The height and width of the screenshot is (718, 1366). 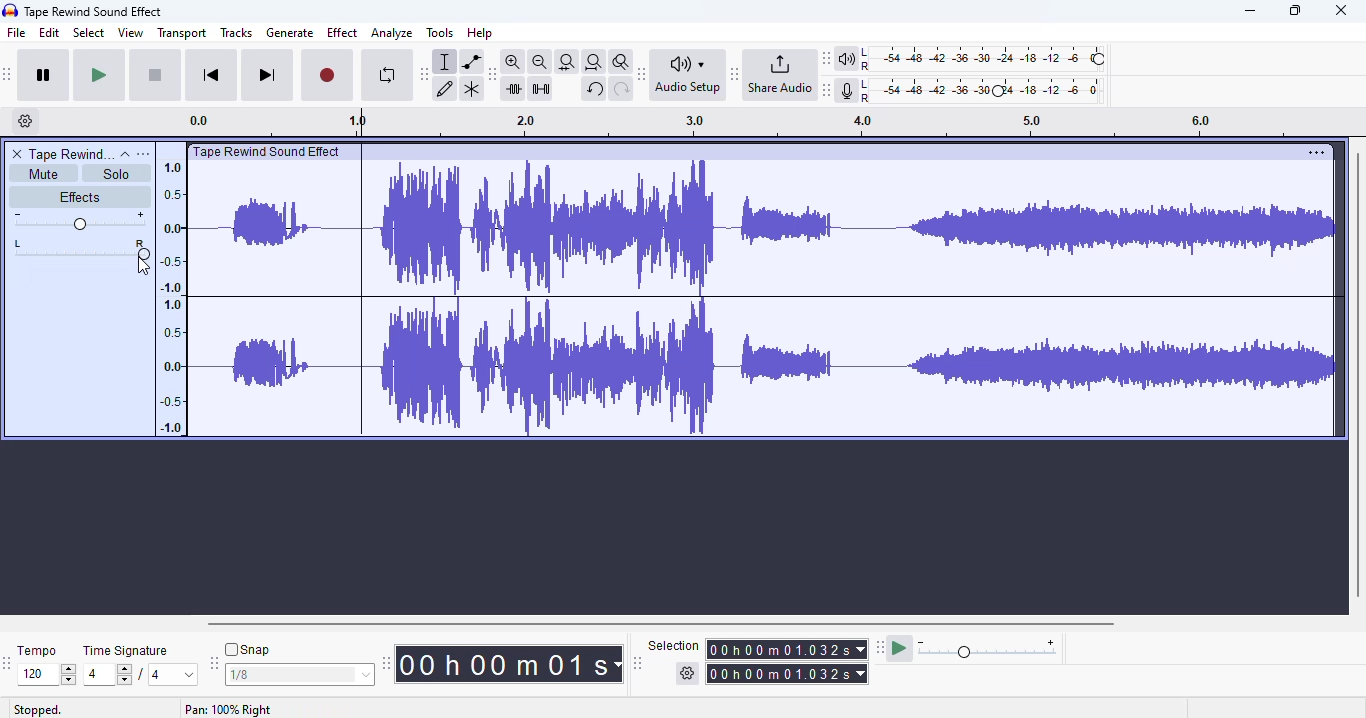 I want to click on analyze, so click(x=392, y=33).